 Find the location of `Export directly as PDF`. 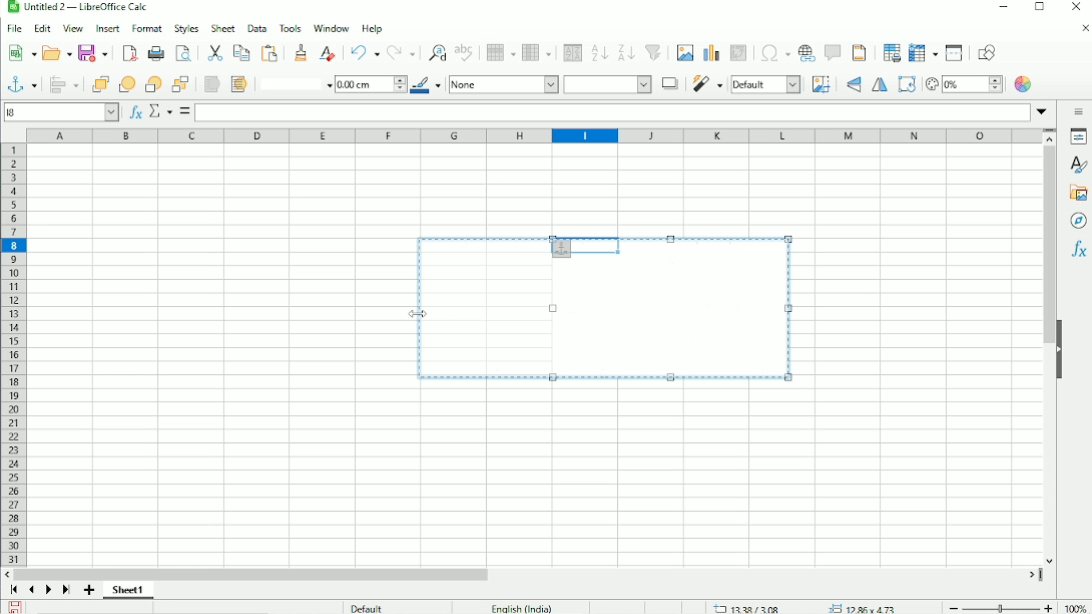

Export directly as PDF is located at coordinates (128, 54).